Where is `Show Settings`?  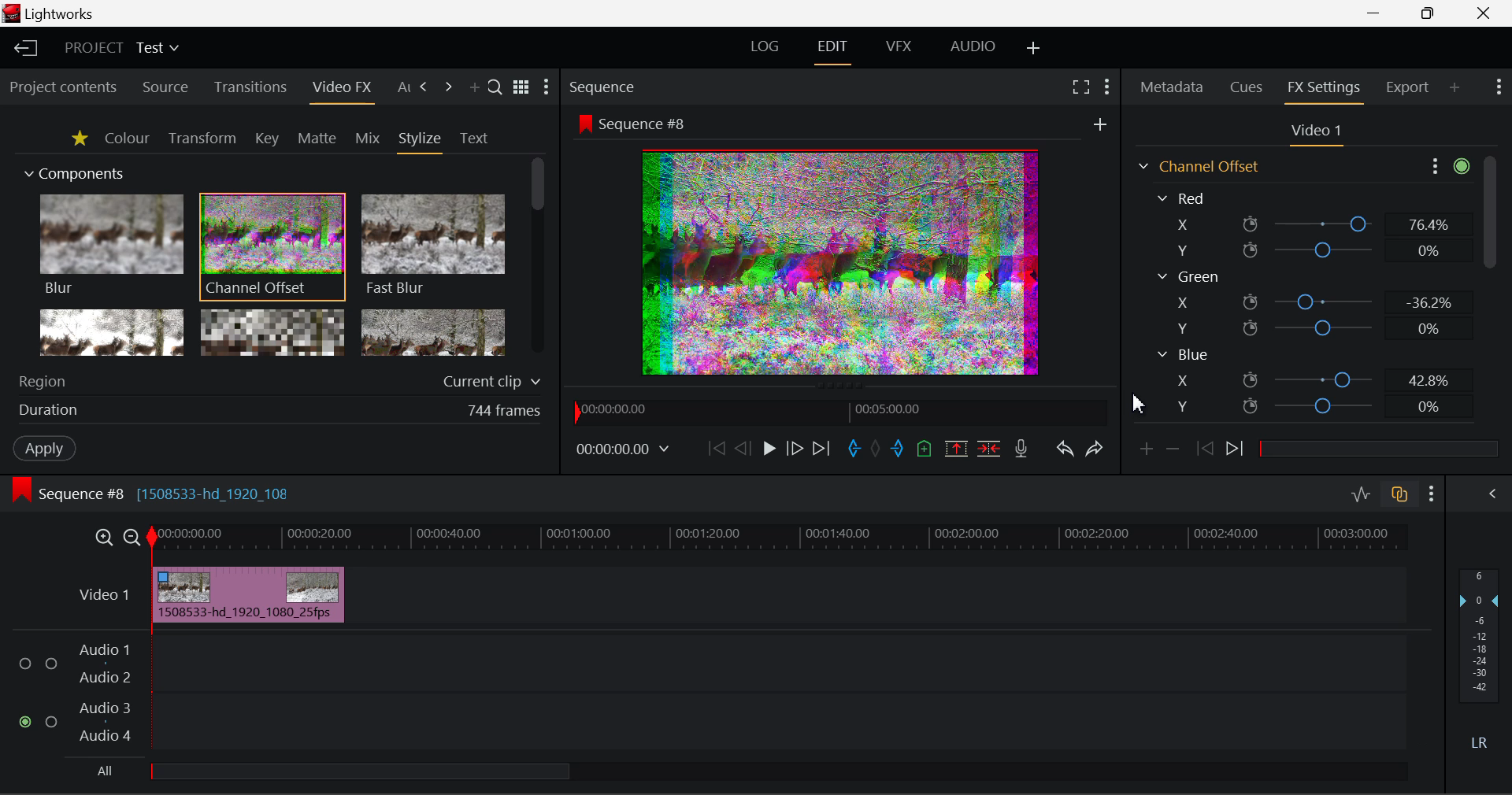 Show Settings is located at coordinates (1106, 89).